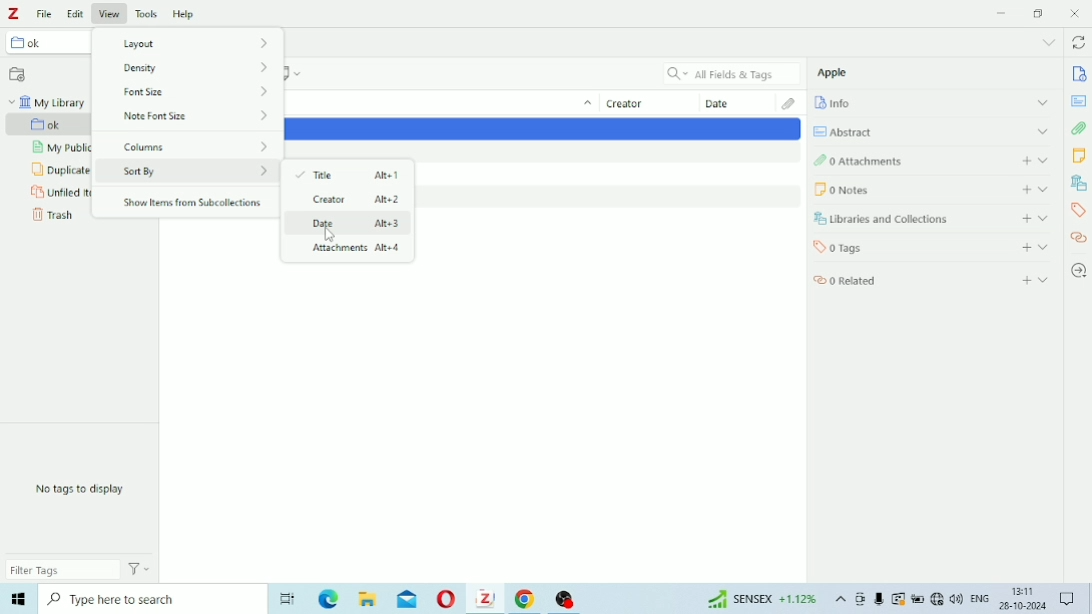 Image resolution: width=1092 pixels, height=614 pixels. I want to click on Help, so click(184, 11).